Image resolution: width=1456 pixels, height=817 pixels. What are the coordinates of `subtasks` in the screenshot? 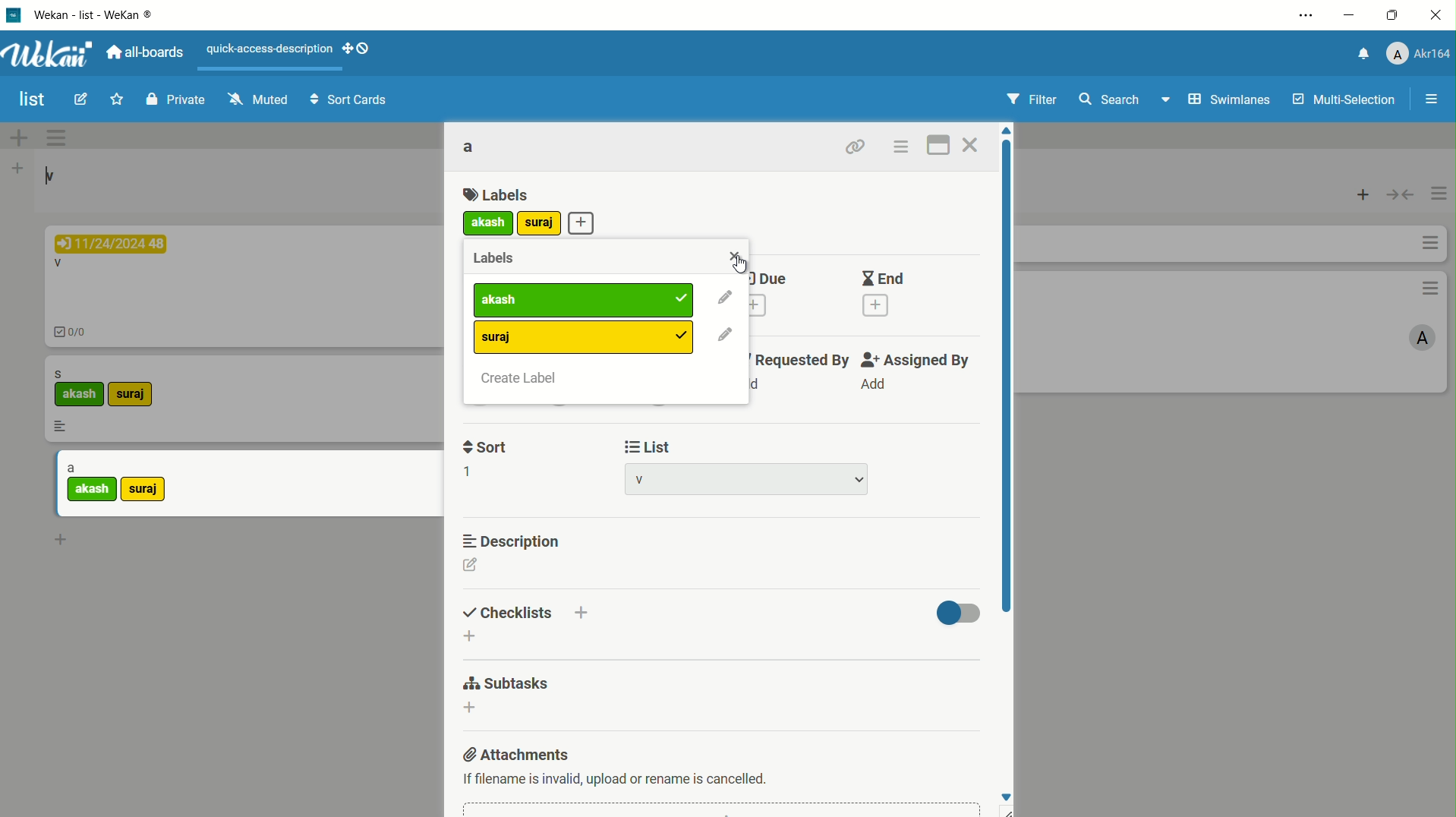 It's located at (506, 681).